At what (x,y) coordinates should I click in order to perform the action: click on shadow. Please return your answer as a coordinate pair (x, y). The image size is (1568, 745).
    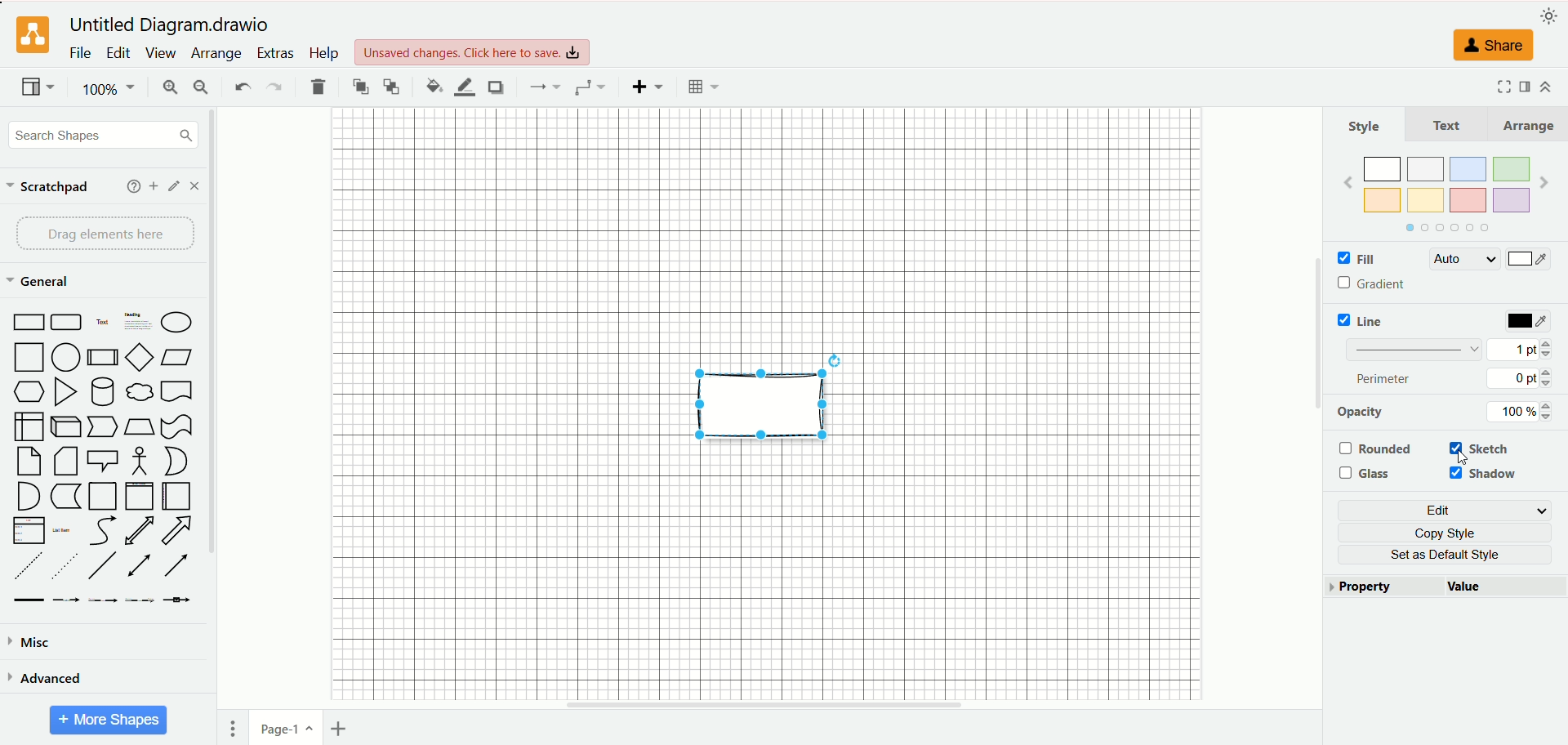
    Looking at the image, I should click on (495, 87).